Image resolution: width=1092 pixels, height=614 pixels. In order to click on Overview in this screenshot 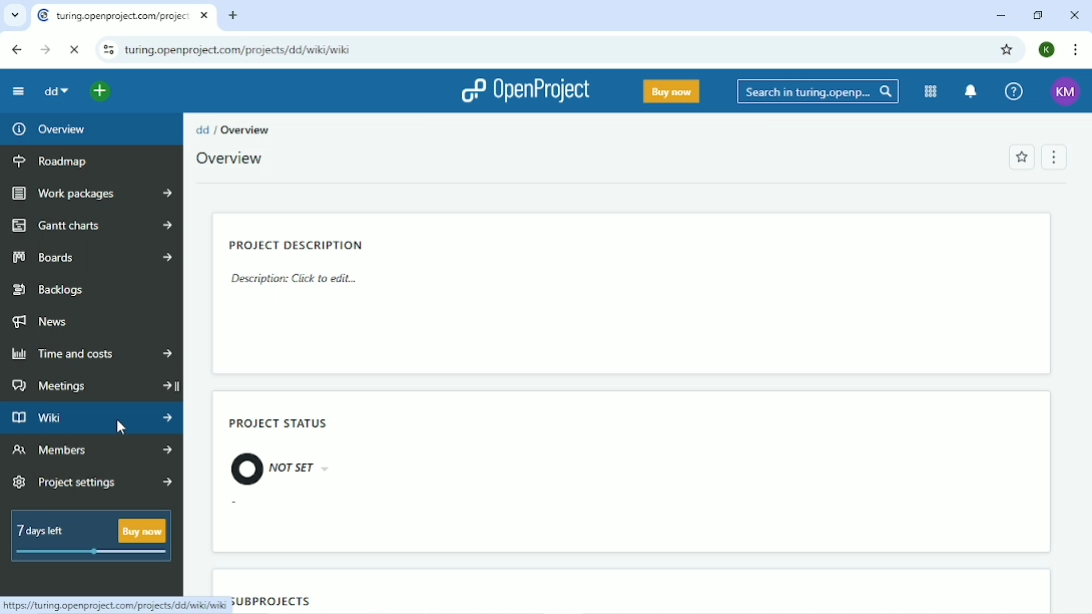, I will do `click(227, 160)`.